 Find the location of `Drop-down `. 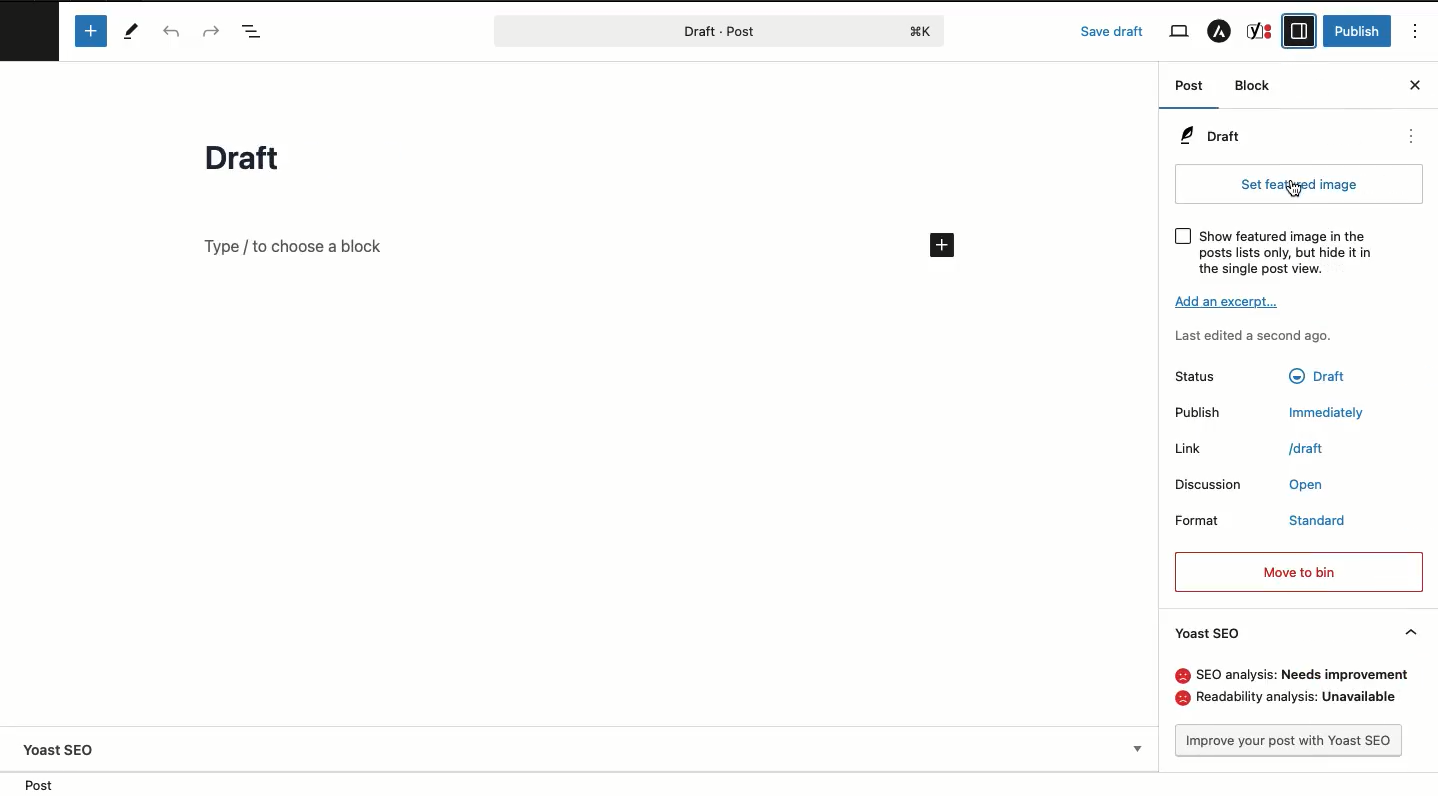

Drop-down  is located at coordinates (1137, 748).